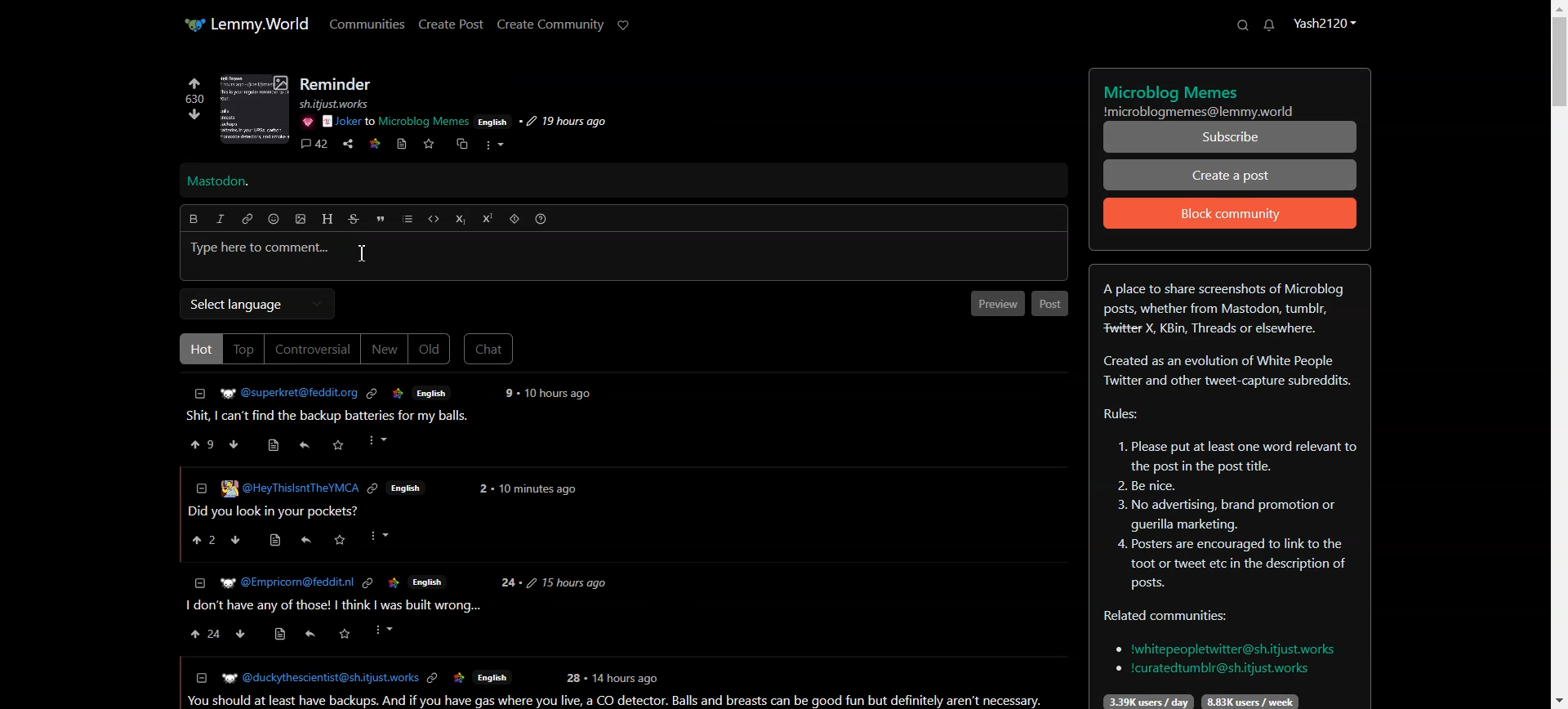 Image resolution: width=1568 pixels, height=709 pixels. I want to click on , so click(628, 677).